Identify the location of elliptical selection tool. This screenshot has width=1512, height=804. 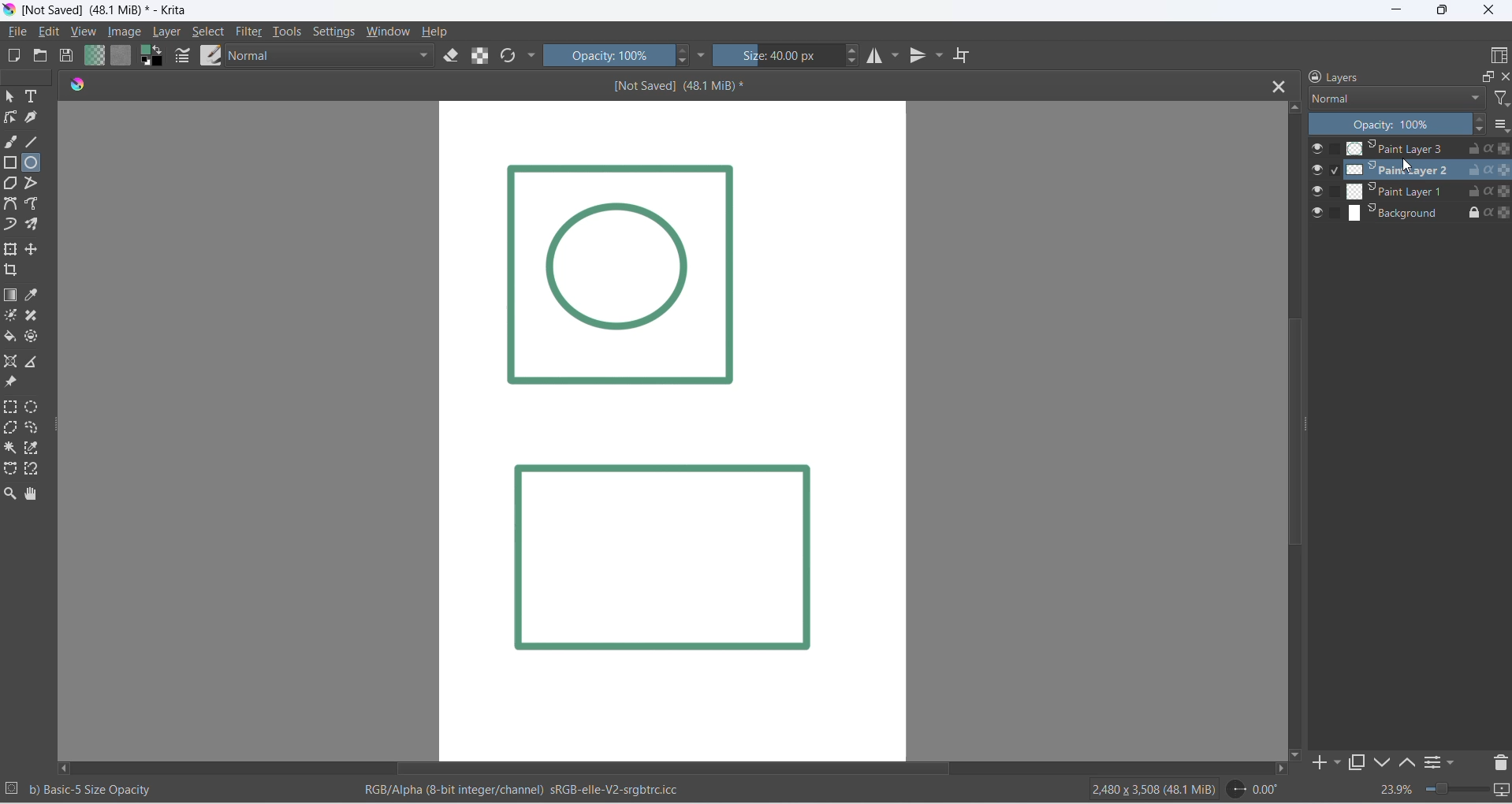
(32, 406).